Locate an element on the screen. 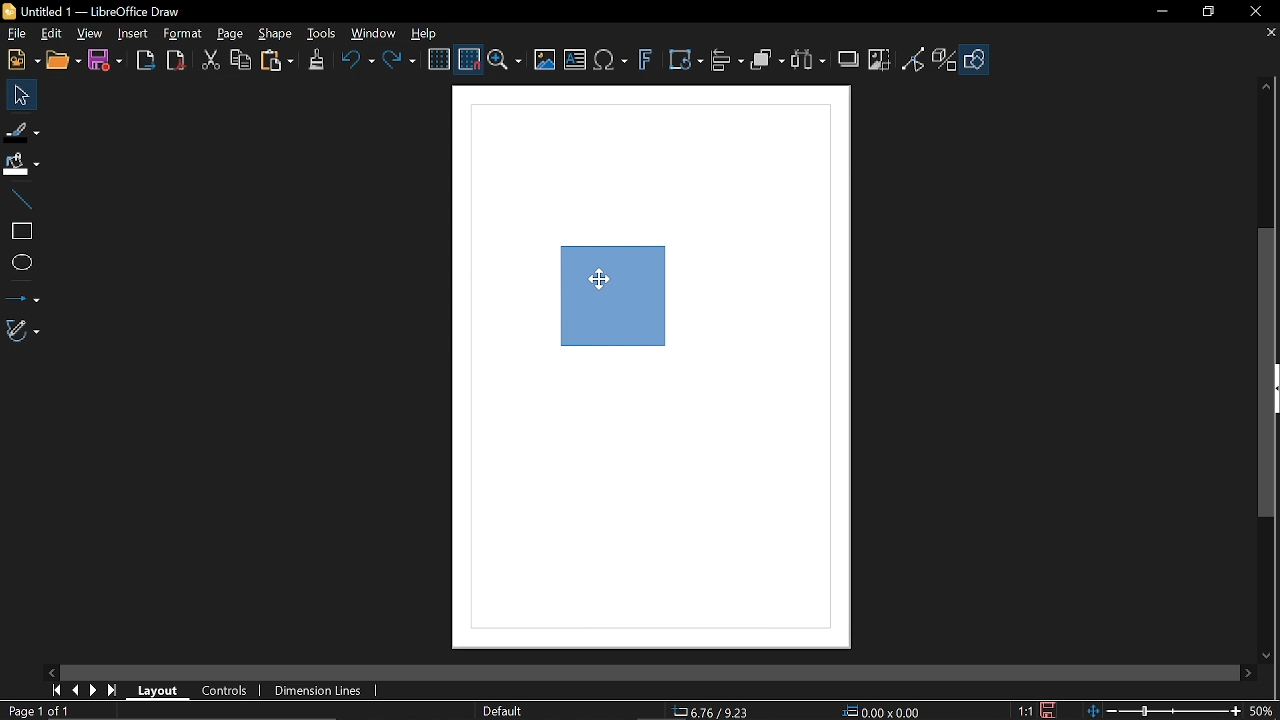 The width and height of the screenshot is (1280, 720). Close tab is located at coordinates (1272, 33).